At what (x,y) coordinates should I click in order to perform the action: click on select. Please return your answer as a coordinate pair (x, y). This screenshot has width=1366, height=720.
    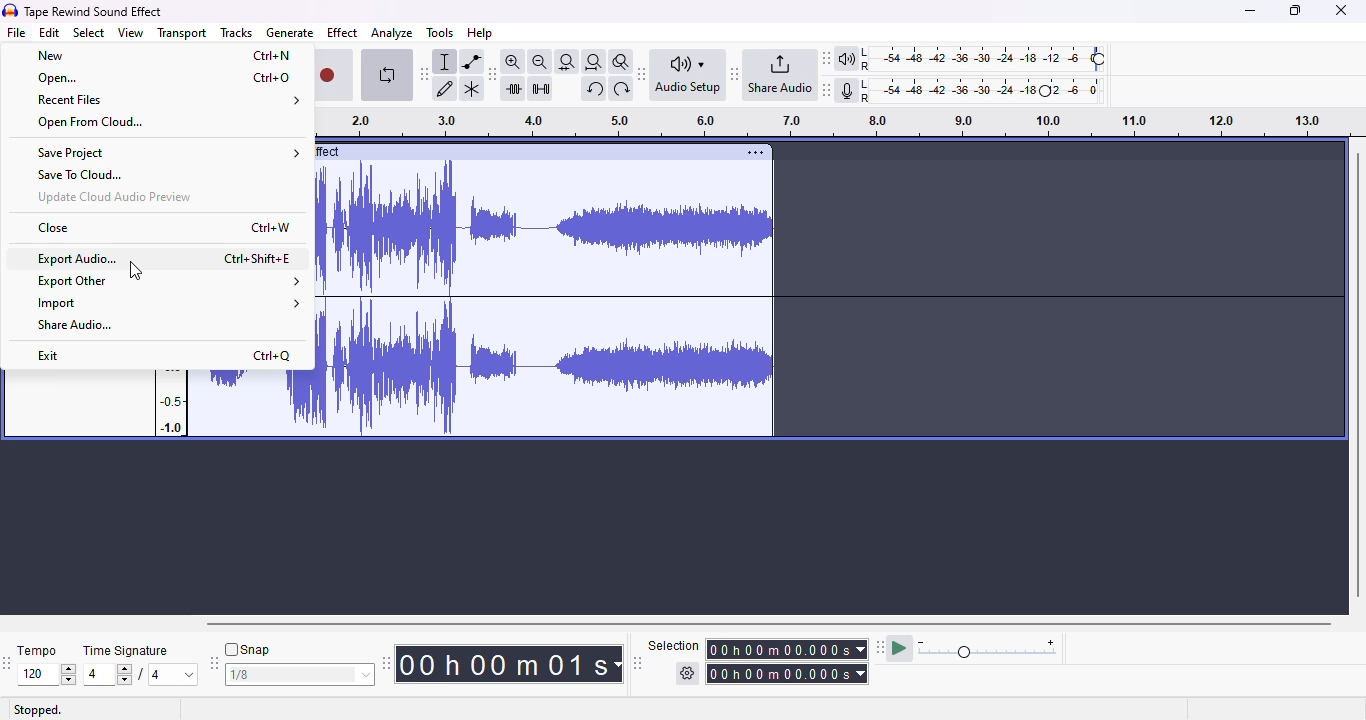
    Looking at the image, I should click on (90, 32).